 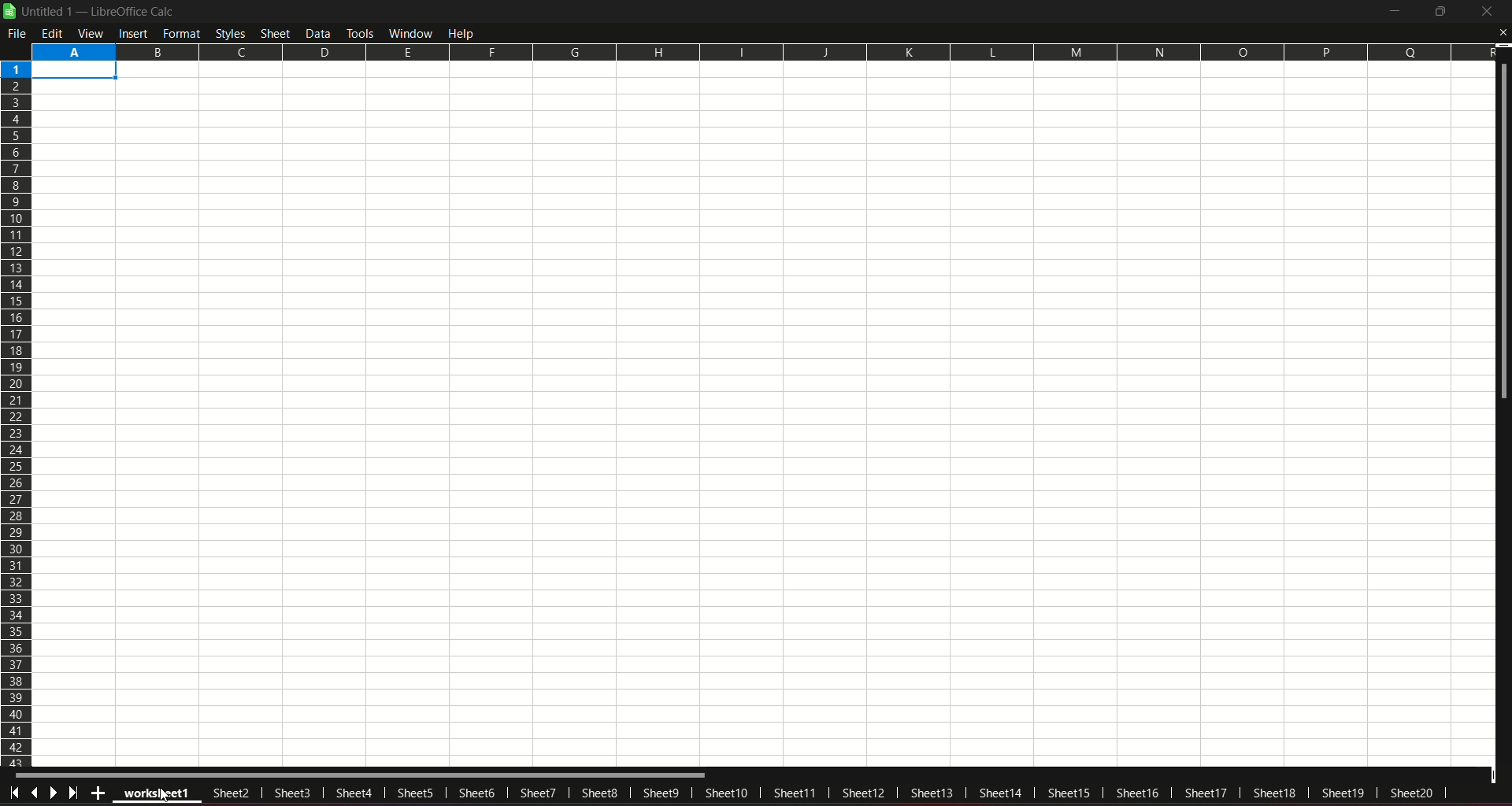 I want to click on Window, so click(x=409, y=32).